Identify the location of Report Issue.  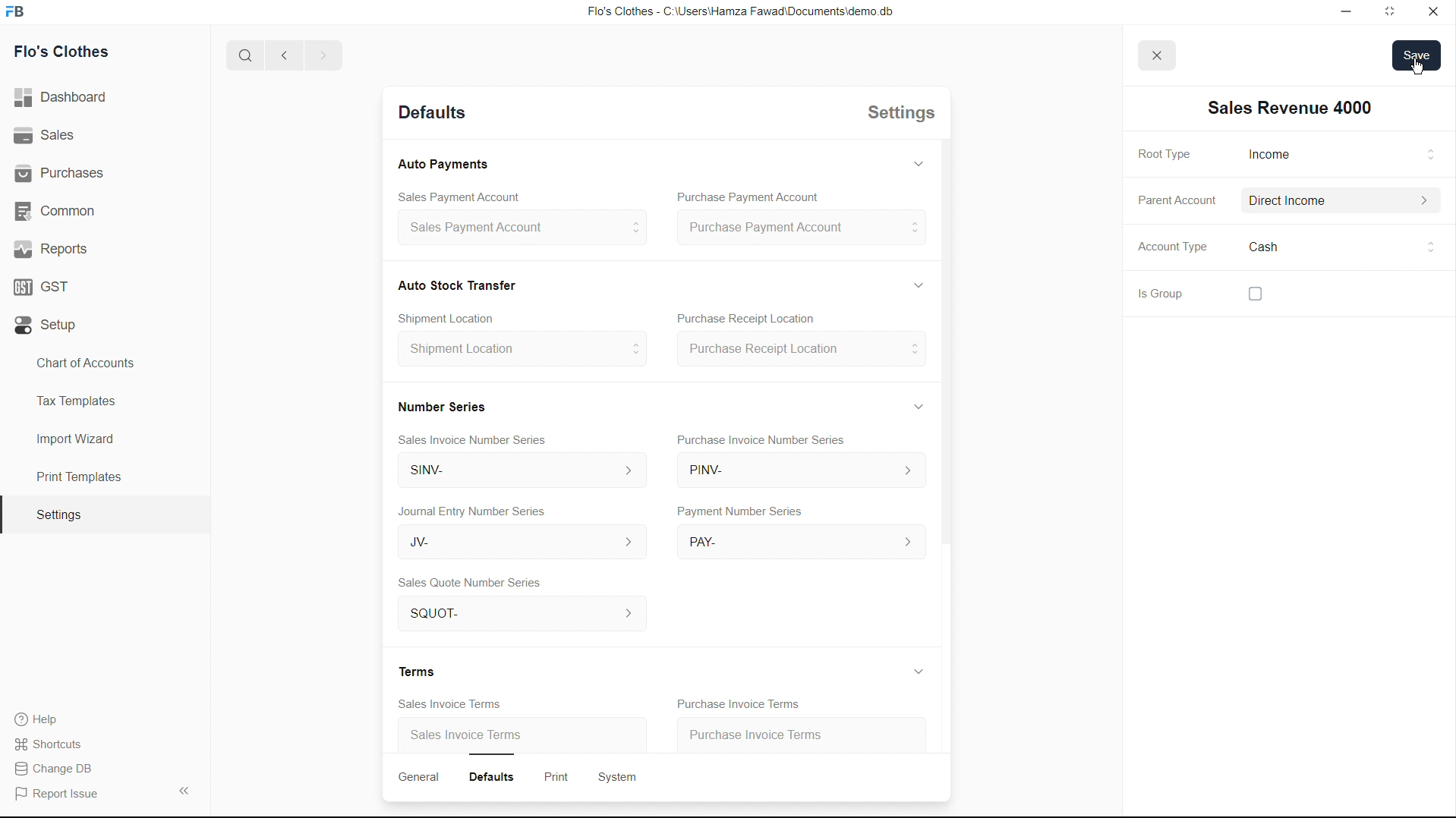
(61, 794).